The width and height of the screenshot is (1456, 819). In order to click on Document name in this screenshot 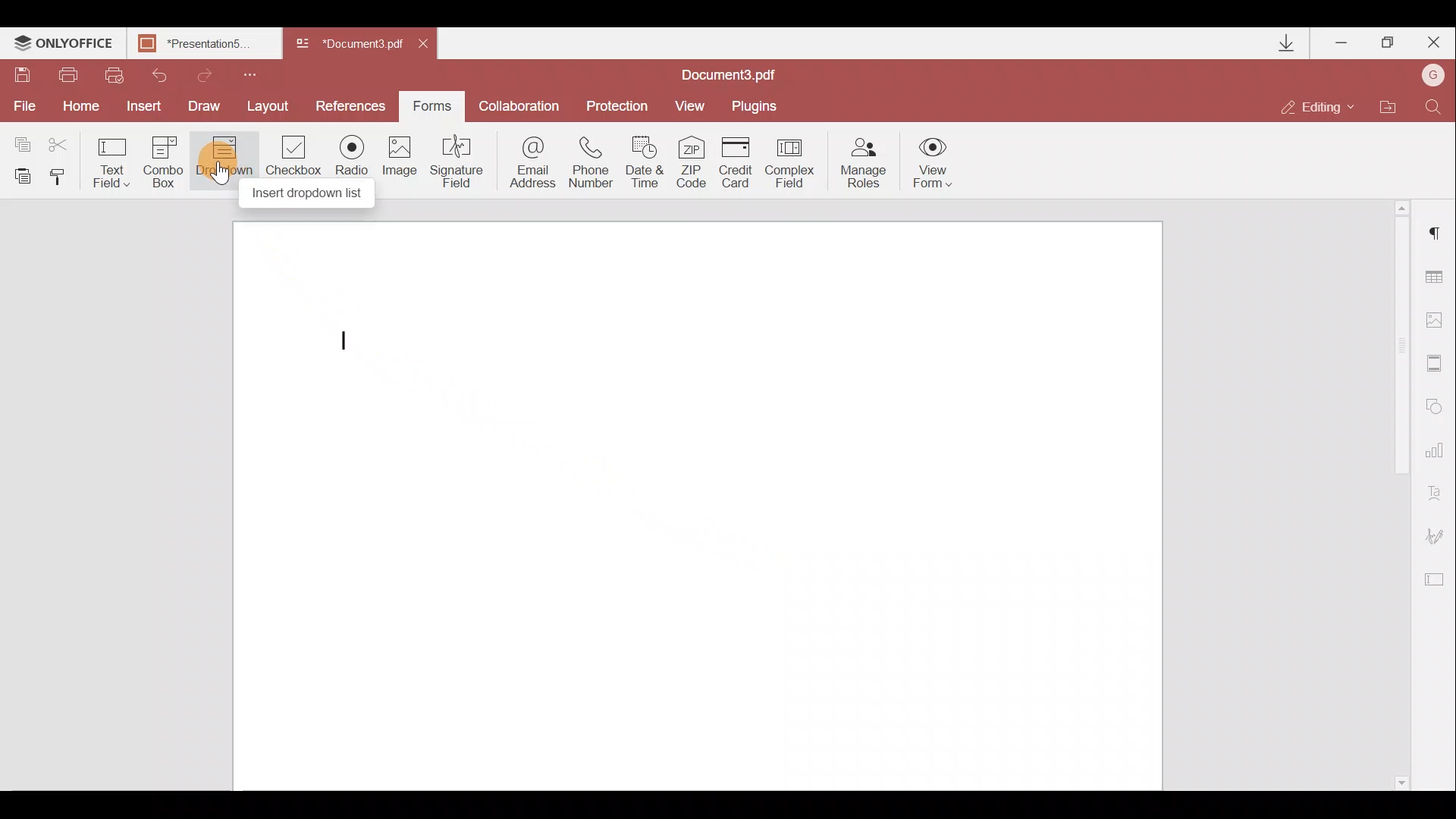, I will do `click(736, 74)`.